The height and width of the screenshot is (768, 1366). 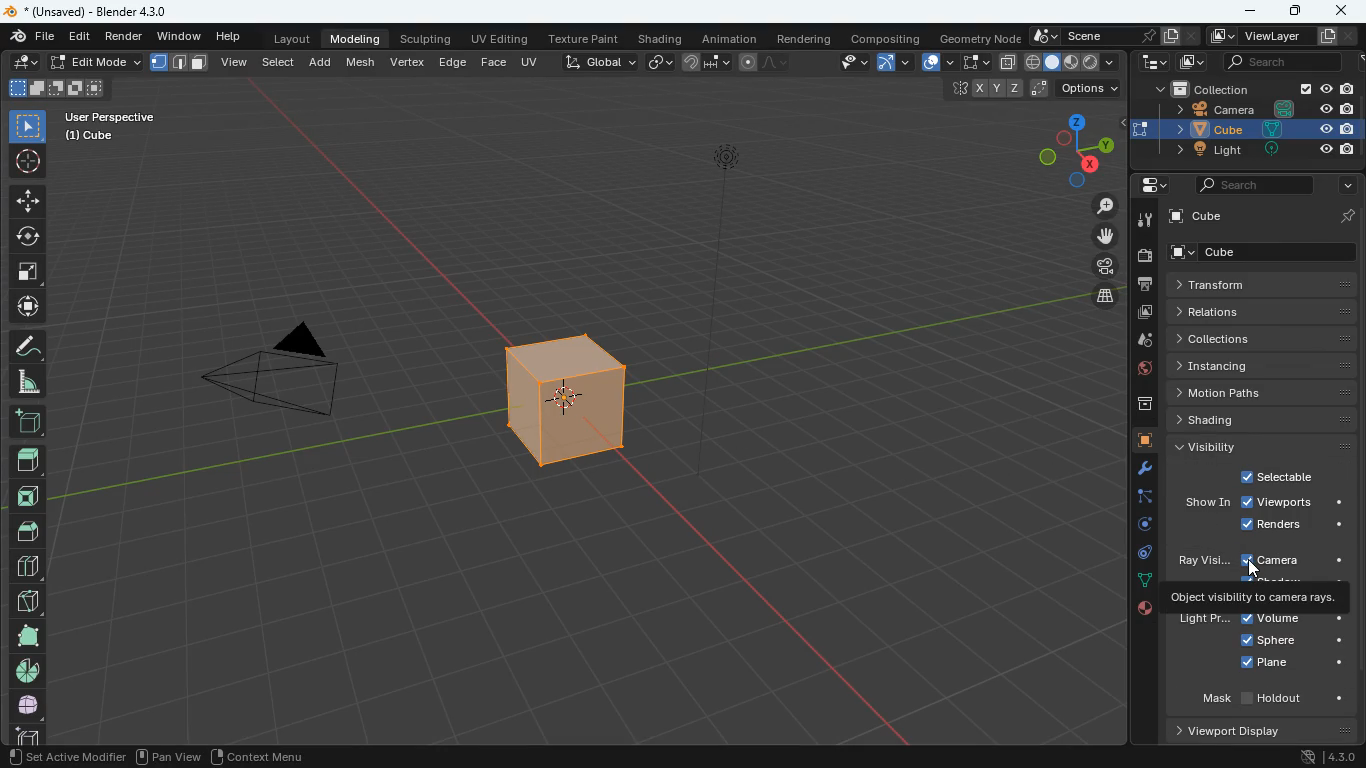 I want to click on search, so click(x=1282, y=61).